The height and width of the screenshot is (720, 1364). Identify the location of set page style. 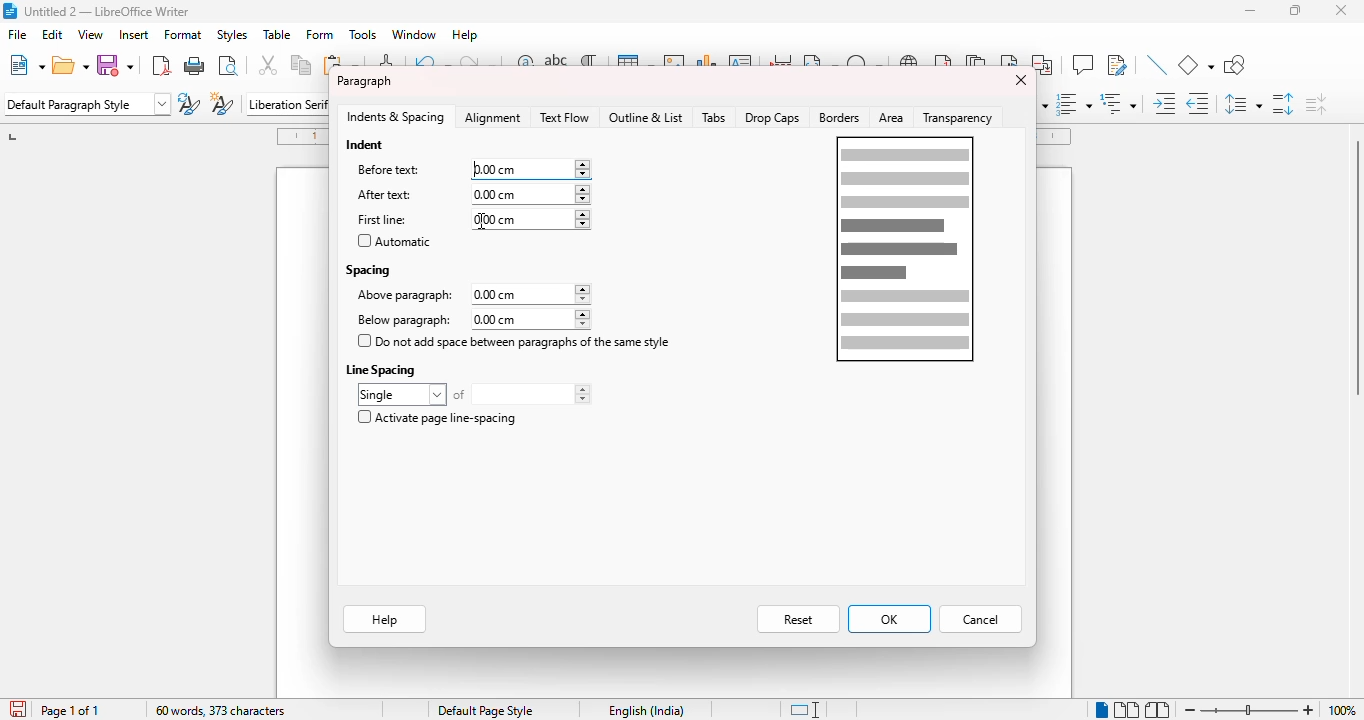
(87, 104).